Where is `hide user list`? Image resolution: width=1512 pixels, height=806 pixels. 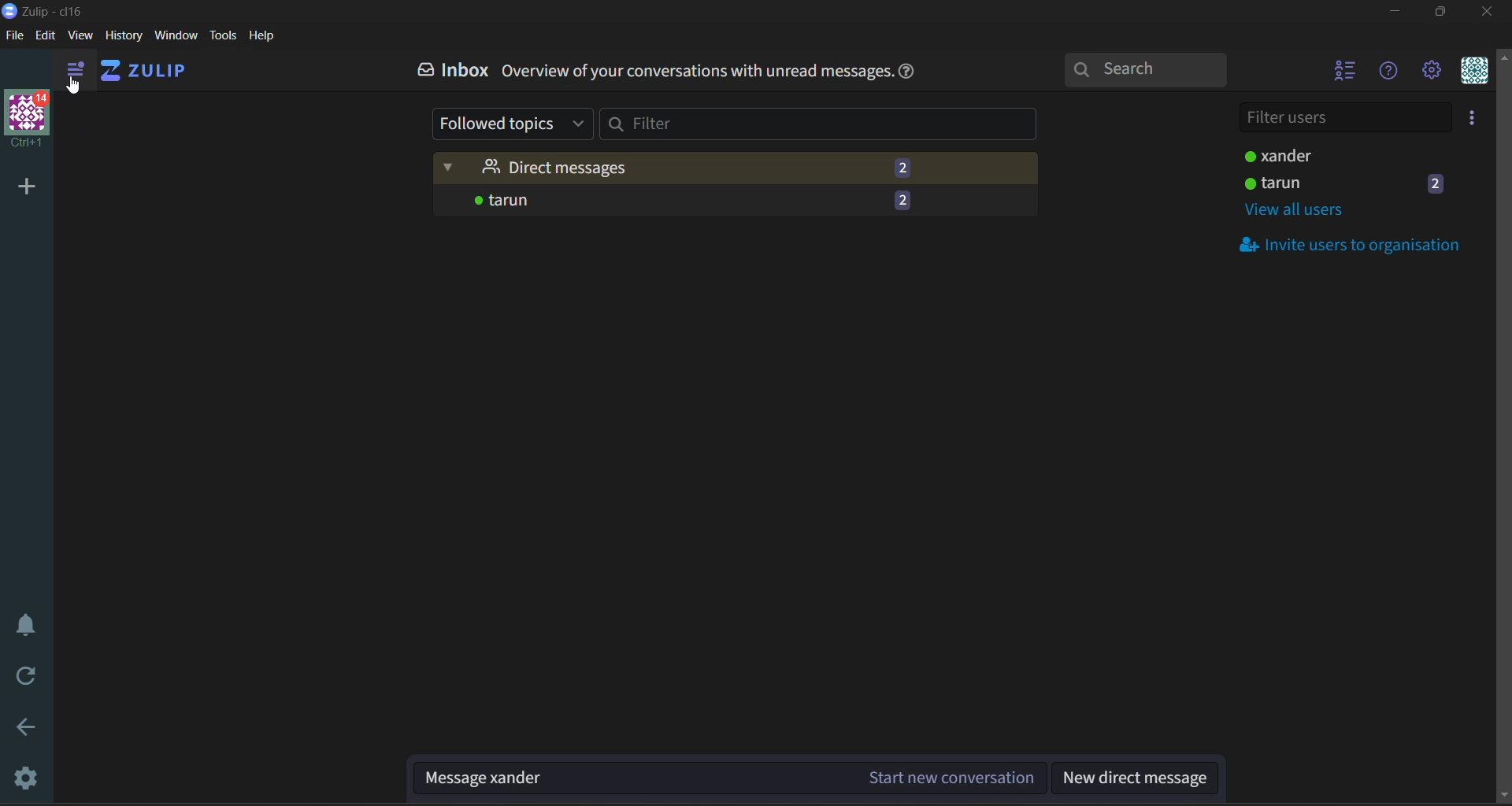
hide user list is located at coordinates (1341, 72).